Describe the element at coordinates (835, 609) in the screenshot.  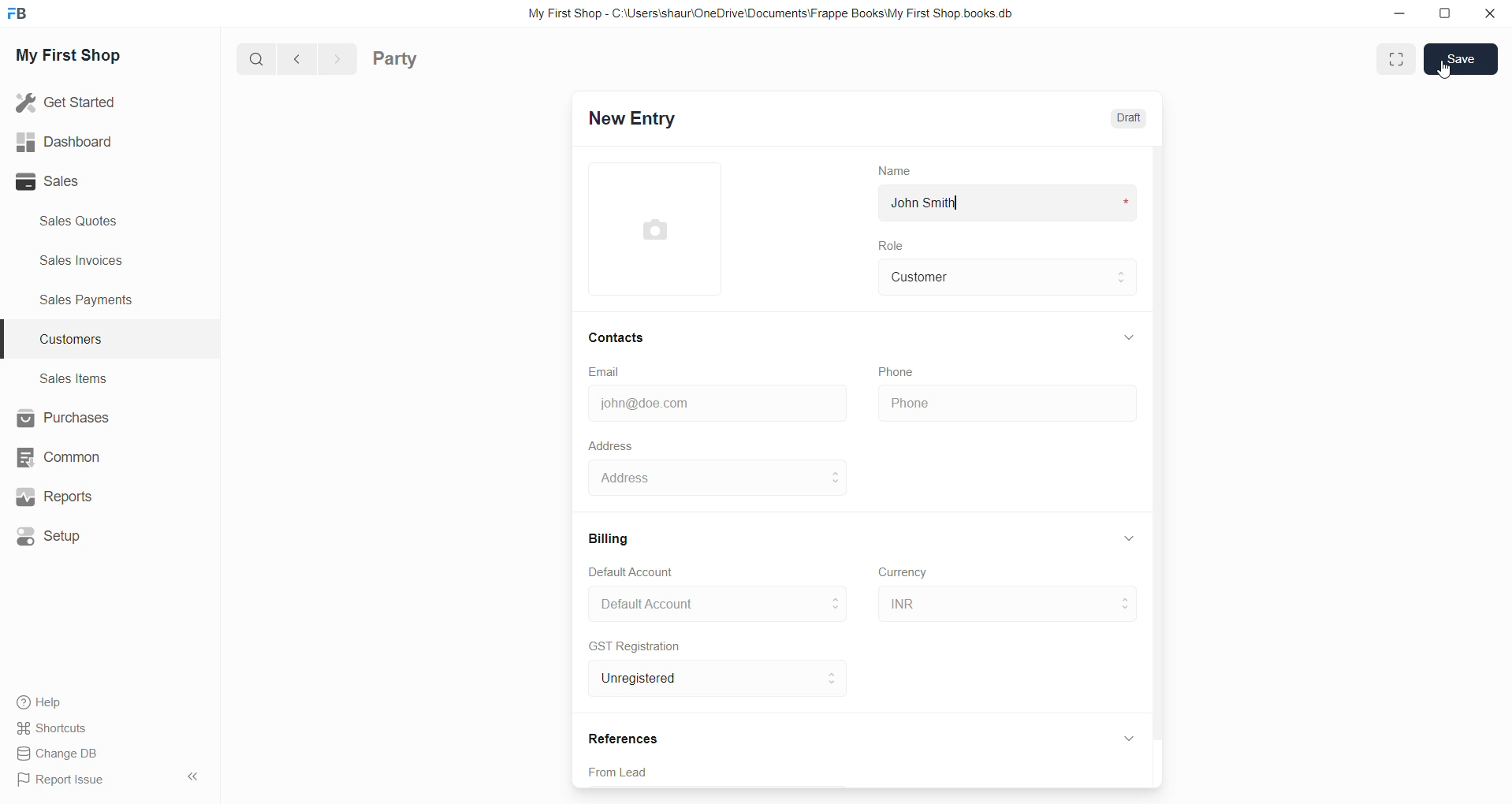
I see `move to below account` at that location.